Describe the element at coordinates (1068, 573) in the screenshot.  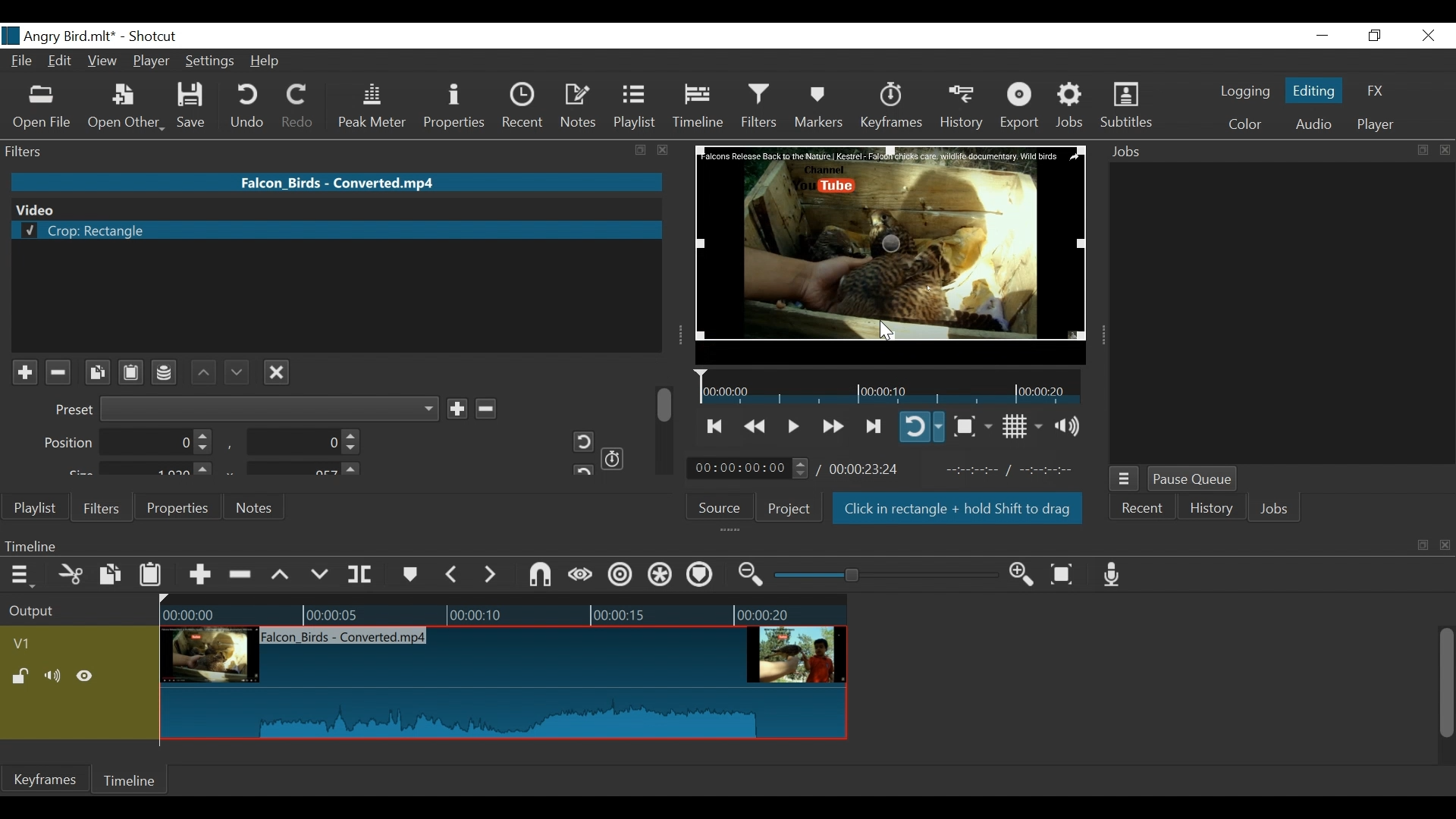
I see `Zoom timeline to fit` at that location.